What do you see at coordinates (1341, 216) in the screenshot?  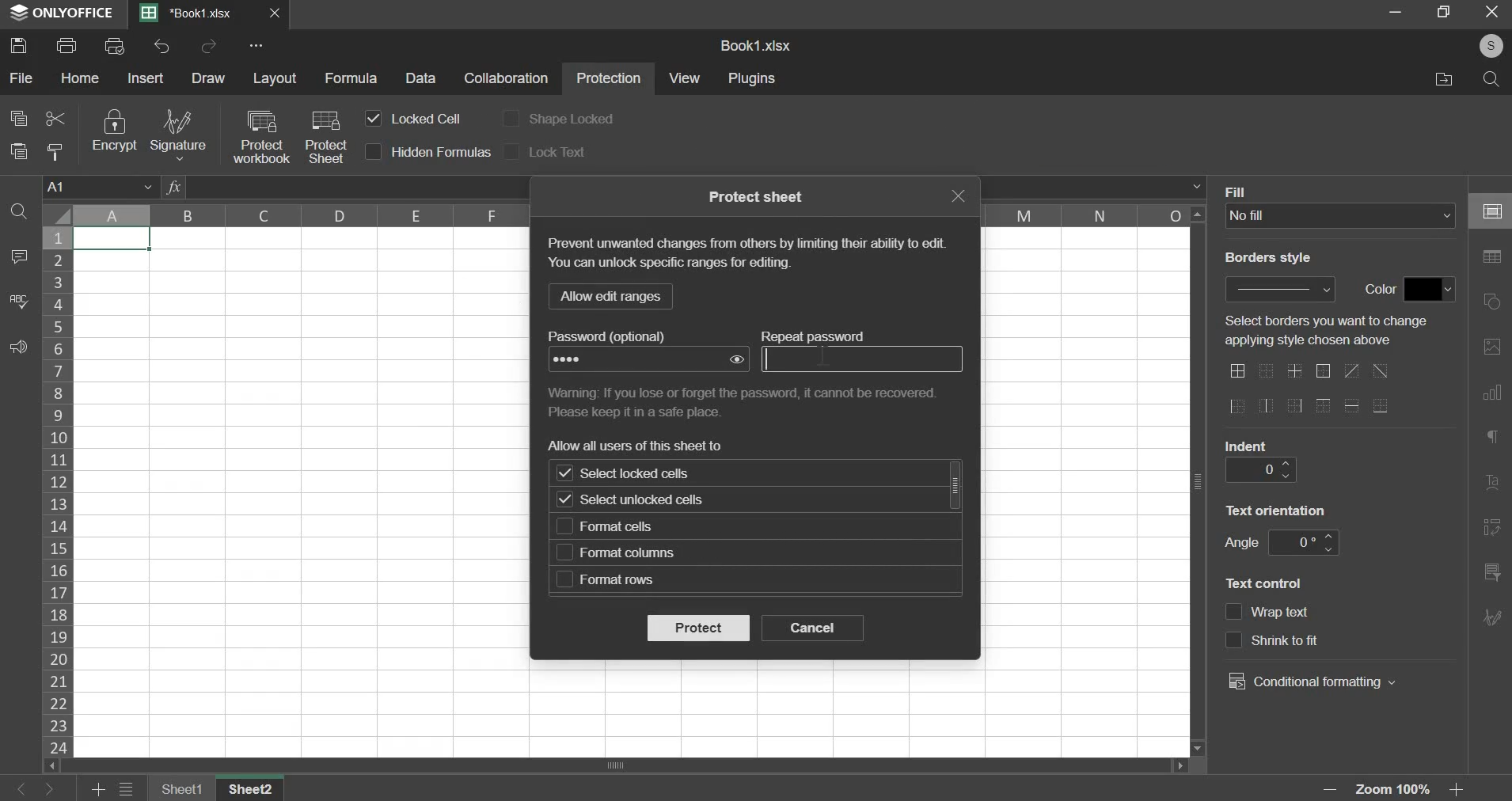 I see `fill type` at bounding box center [1341, 216].